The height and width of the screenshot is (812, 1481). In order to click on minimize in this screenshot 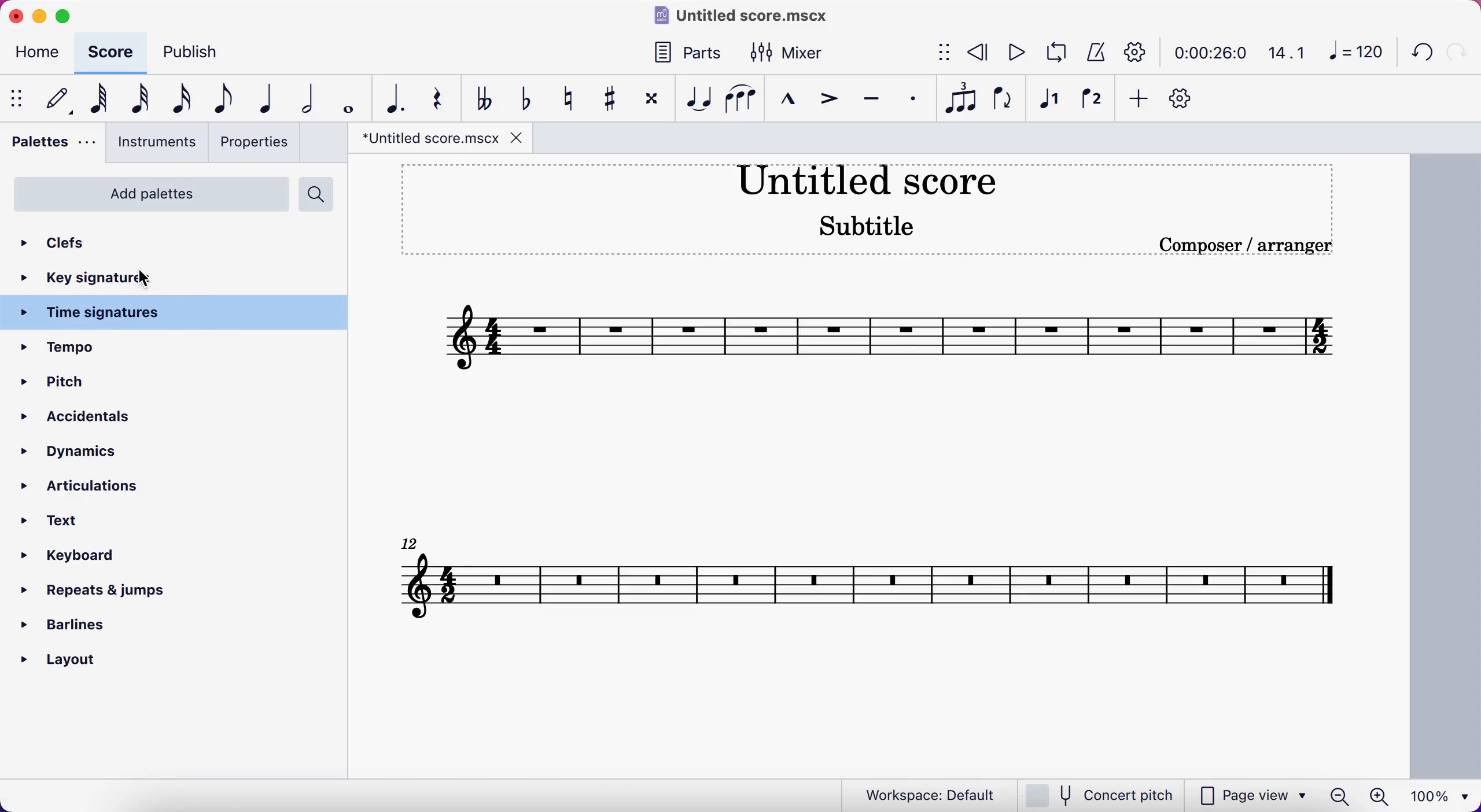, I will do `click(43, 16)`.